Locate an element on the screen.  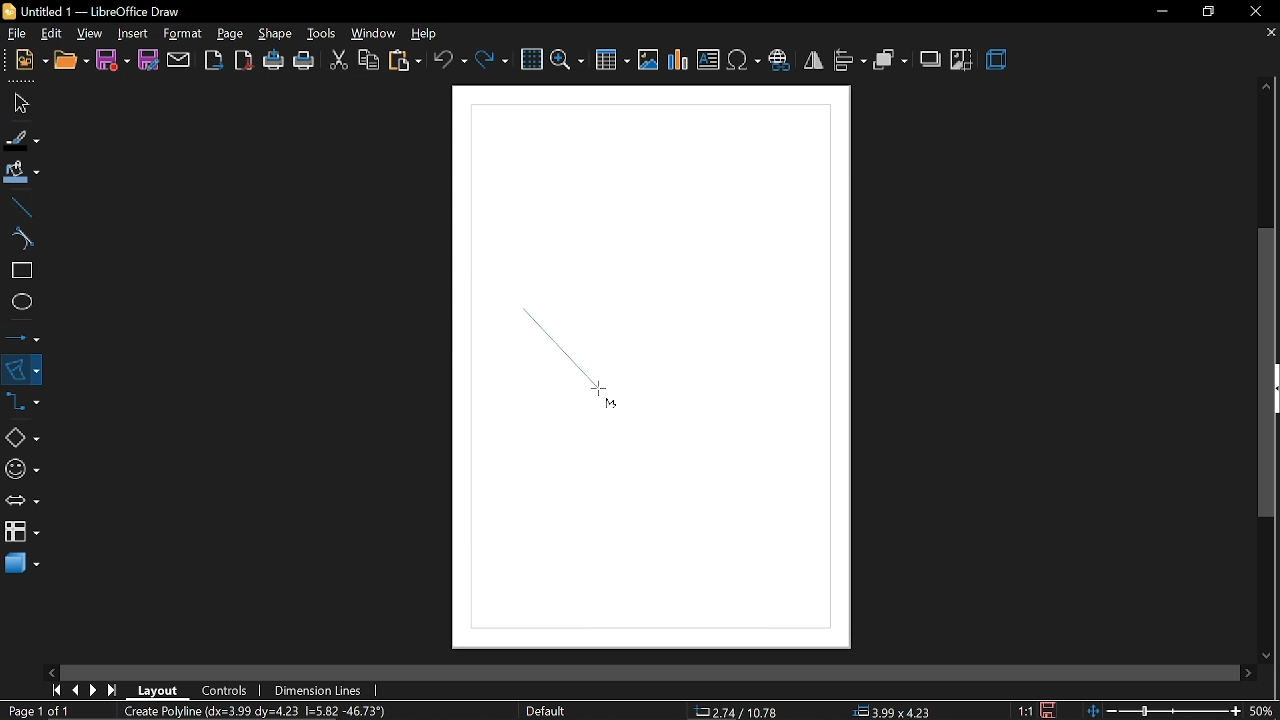
Untitled 1- Libreoffice Draw is located at coordinates (106, 11).